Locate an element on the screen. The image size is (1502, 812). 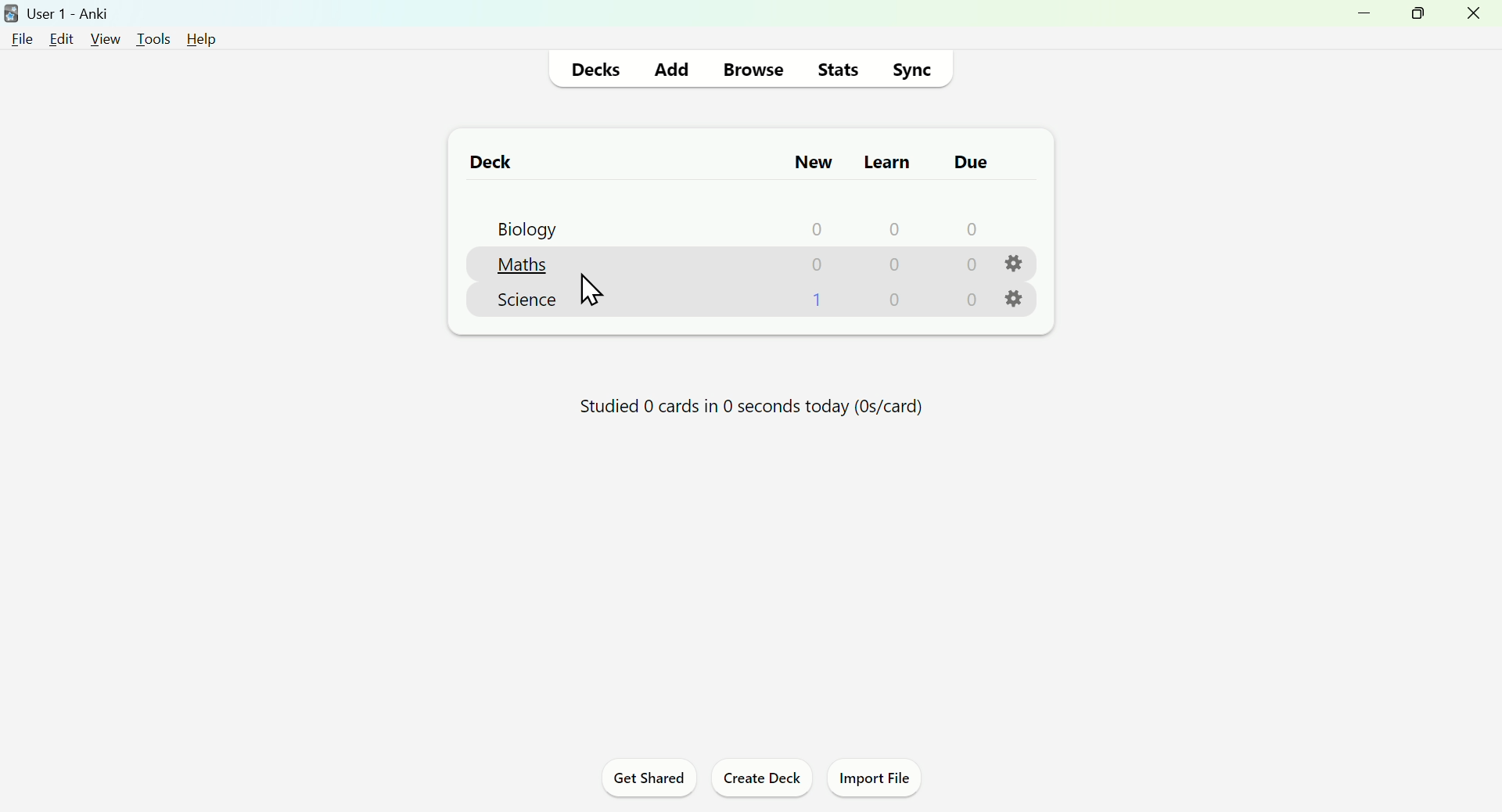
User 1 - Anki is located at coordinates (61, 12).